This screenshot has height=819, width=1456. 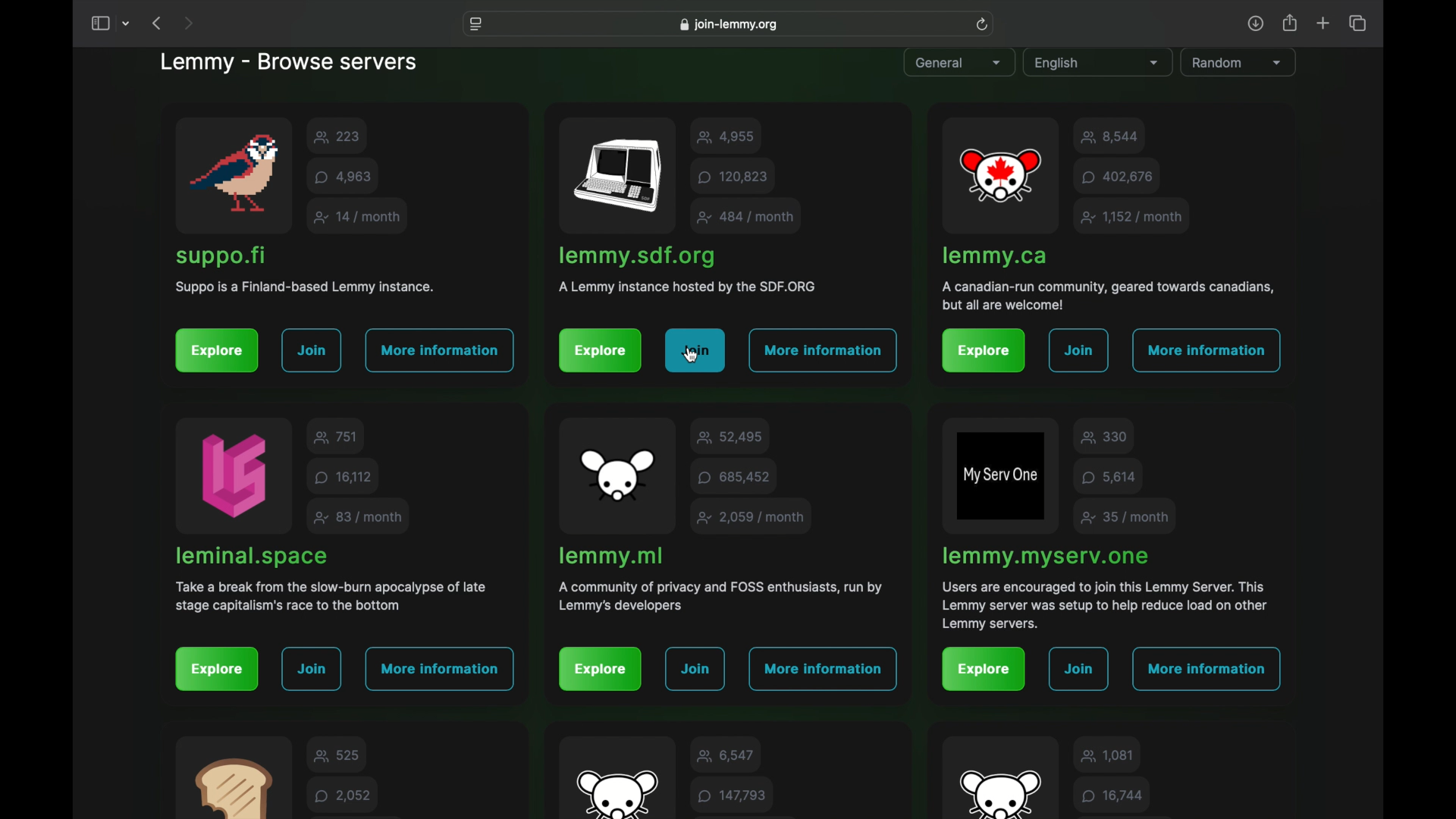 I want to click on website settings, so click(x=477, y=24).